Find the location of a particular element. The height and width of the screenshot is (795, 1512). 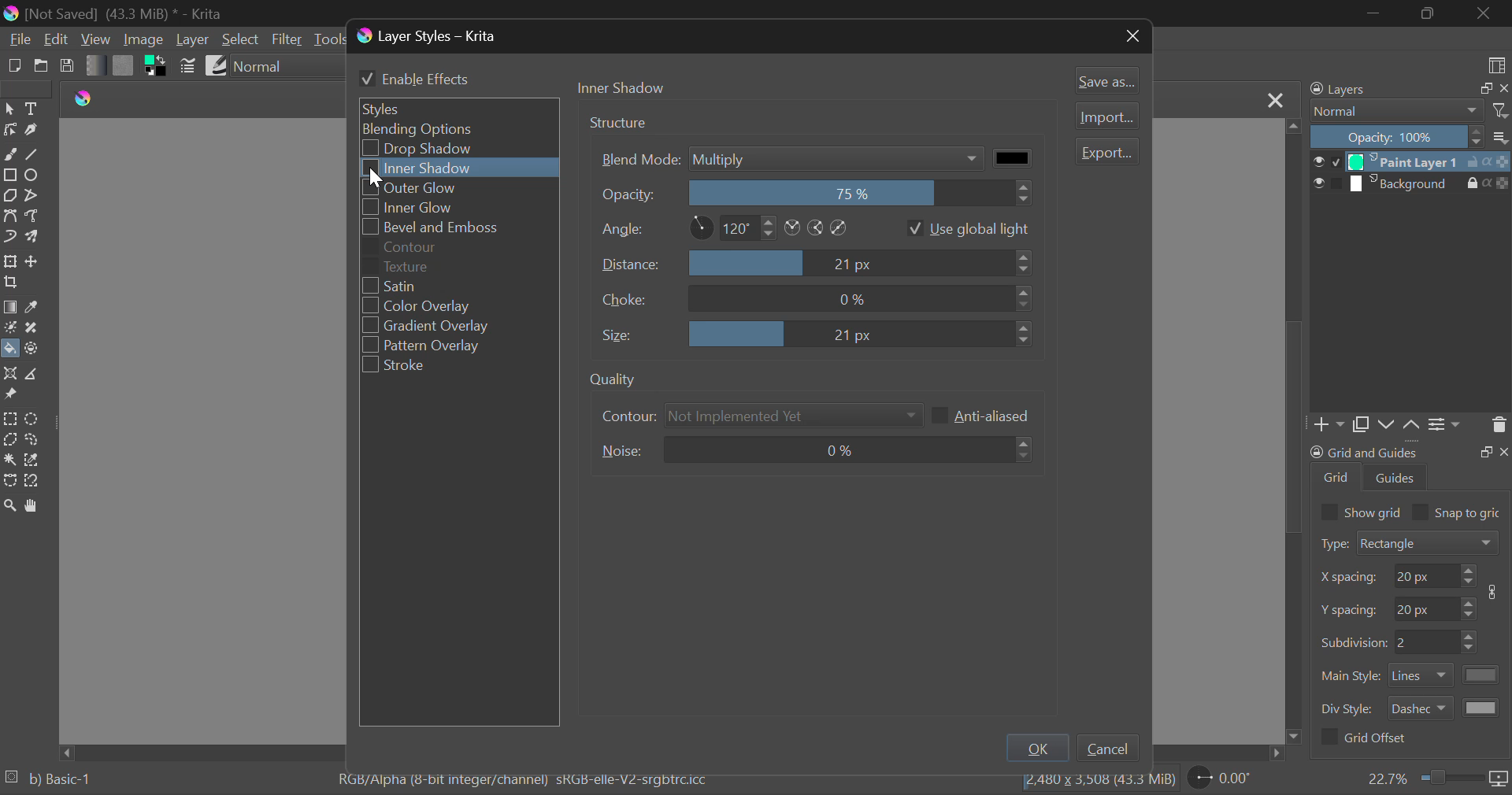

Rectangle is located at coordinates (11, 174).